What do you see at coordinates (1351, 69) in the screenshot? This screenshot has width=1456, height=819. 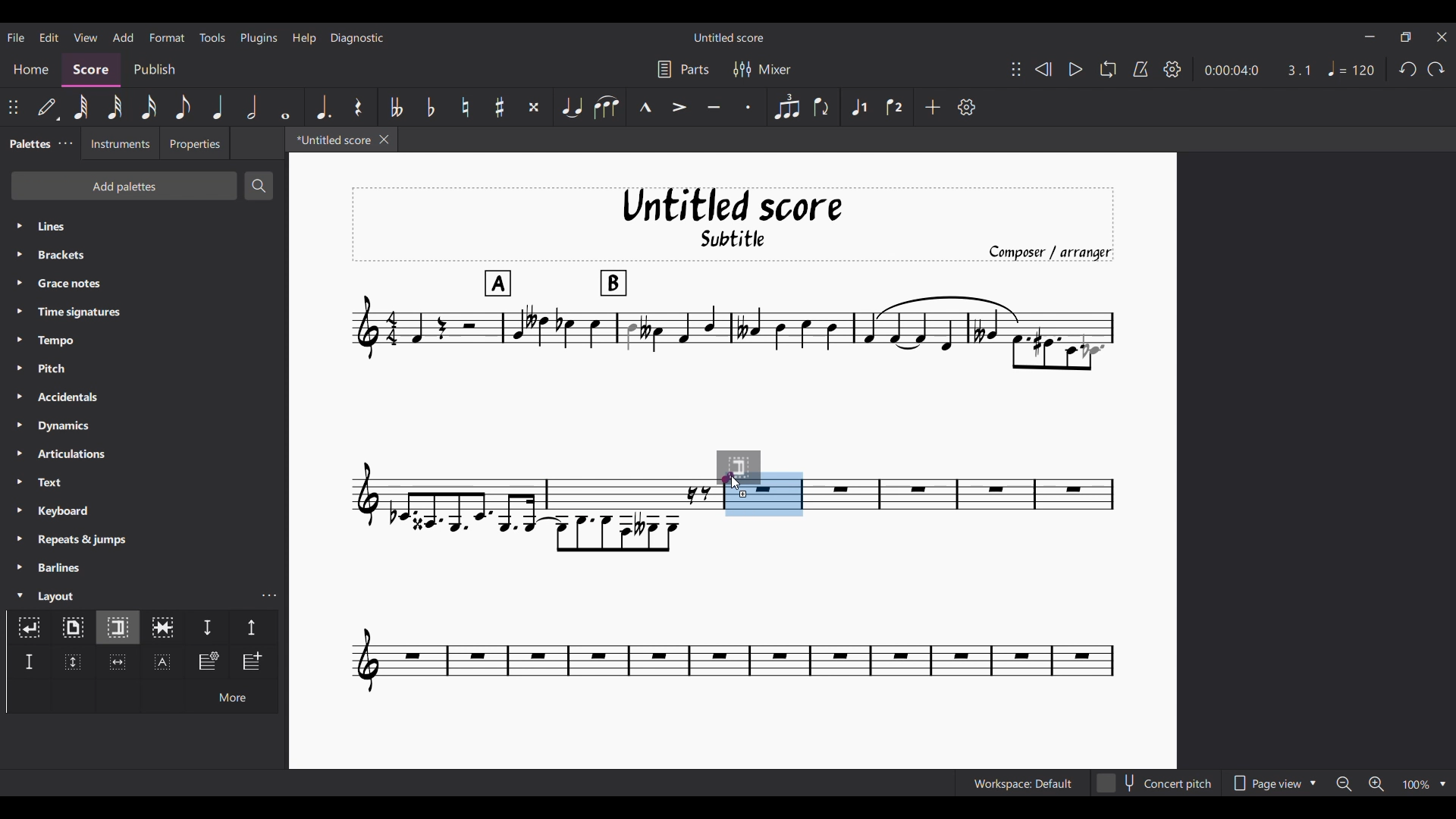 I see `Tempo` at bounding box center [1351, 69].